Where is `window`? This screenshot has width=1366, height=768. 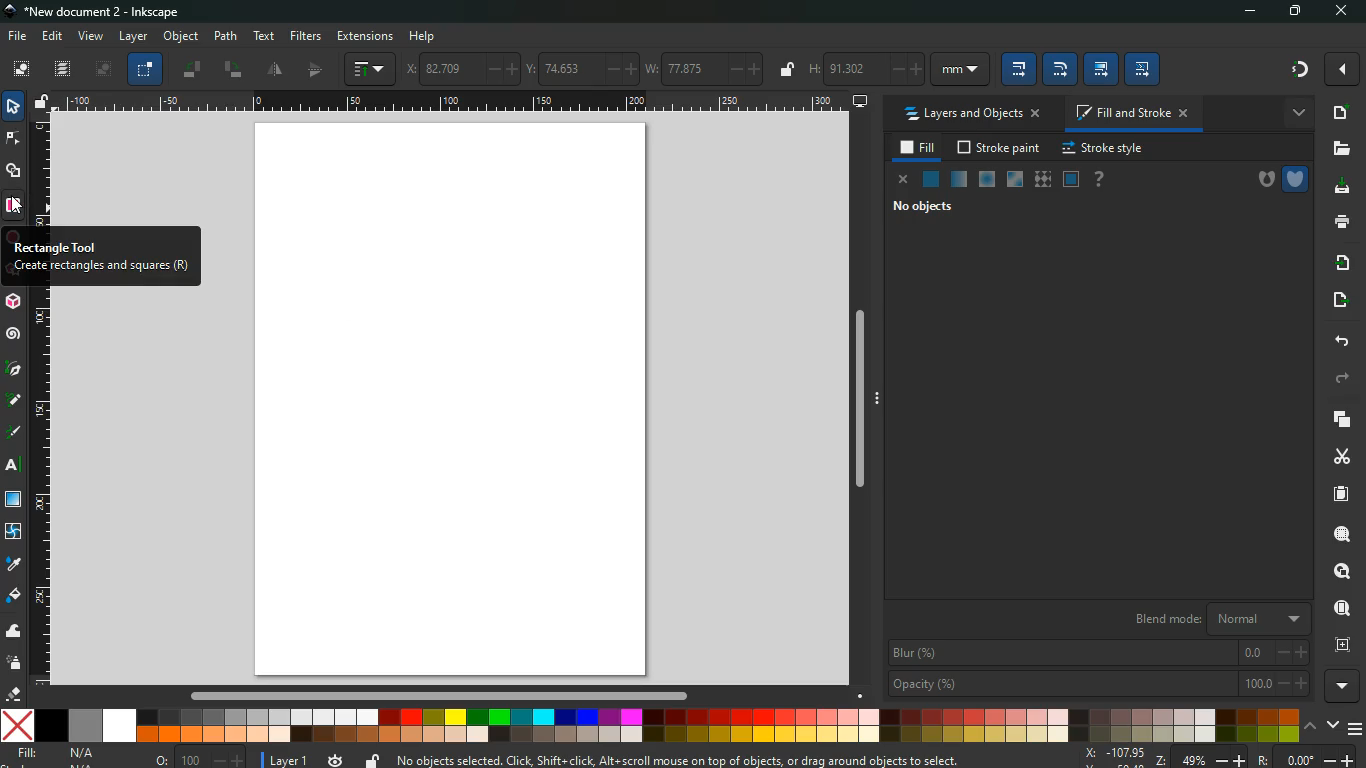 window is located at coordinates (1071, 180).